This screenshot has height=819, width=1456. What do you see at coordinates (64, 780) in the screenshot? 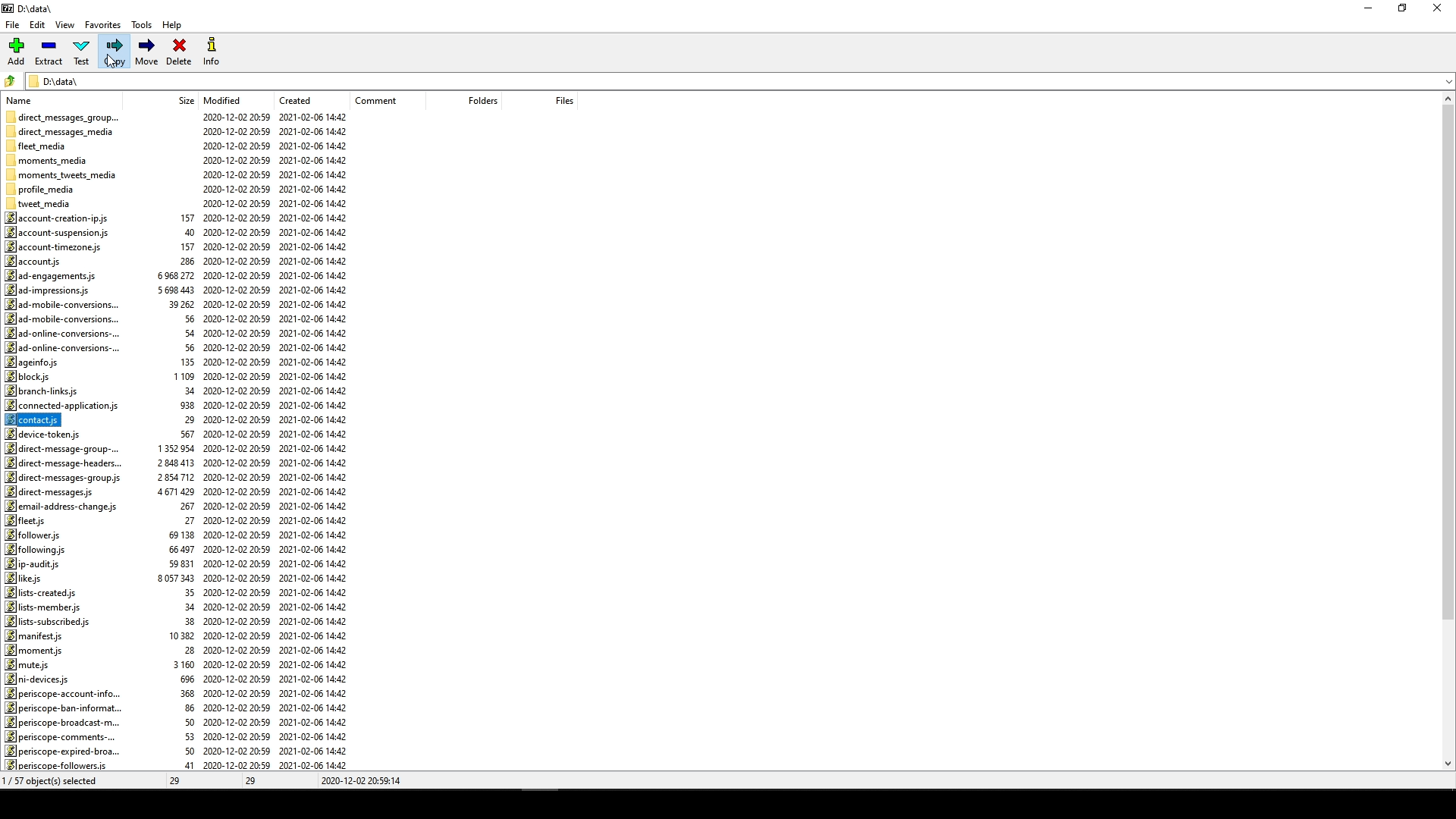
I see `0/57 objects selected` at bounding box center [64, 780].